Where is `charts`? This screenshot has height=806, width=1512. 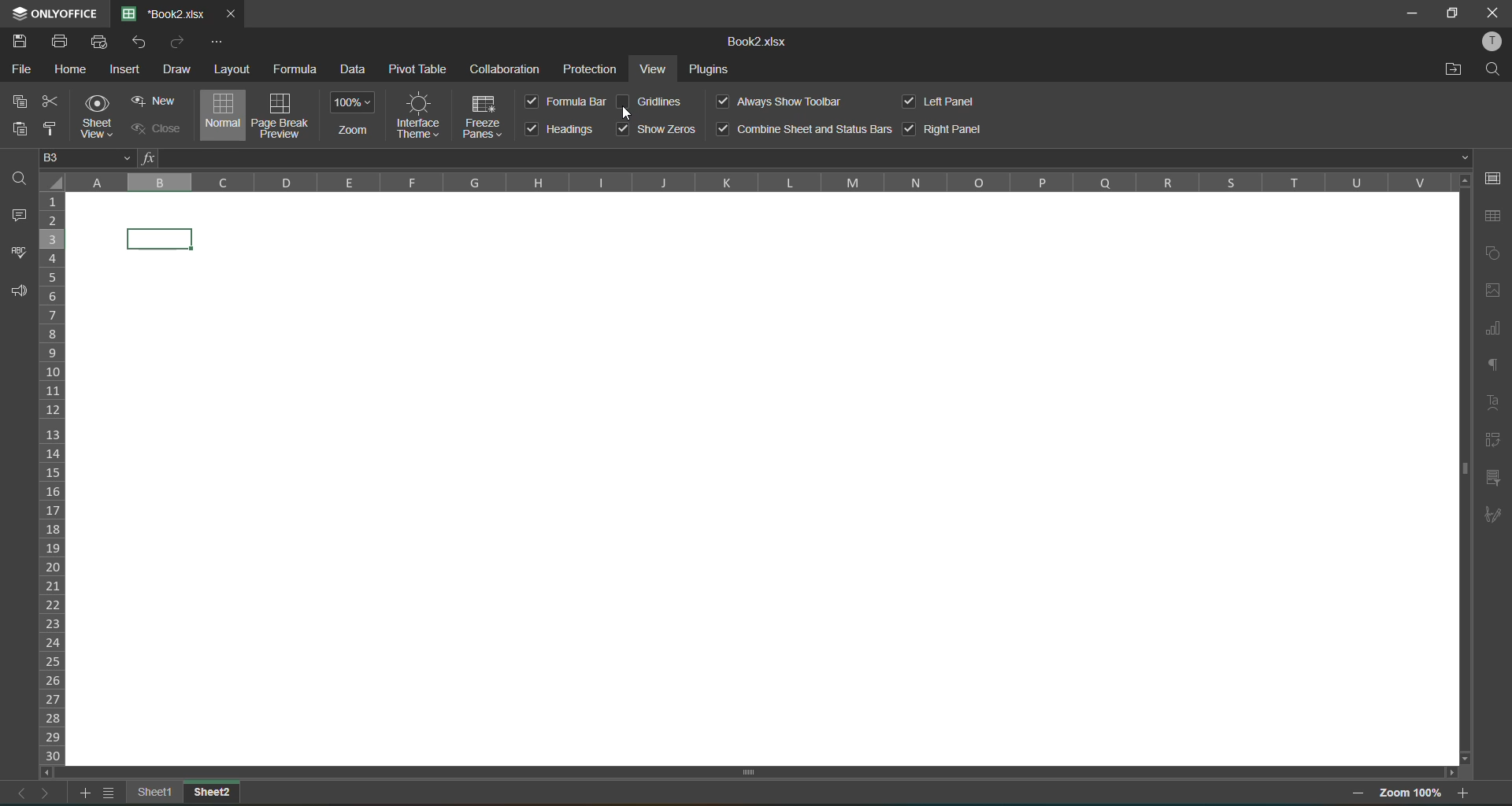
charts is located at coordinates (1492, 331).